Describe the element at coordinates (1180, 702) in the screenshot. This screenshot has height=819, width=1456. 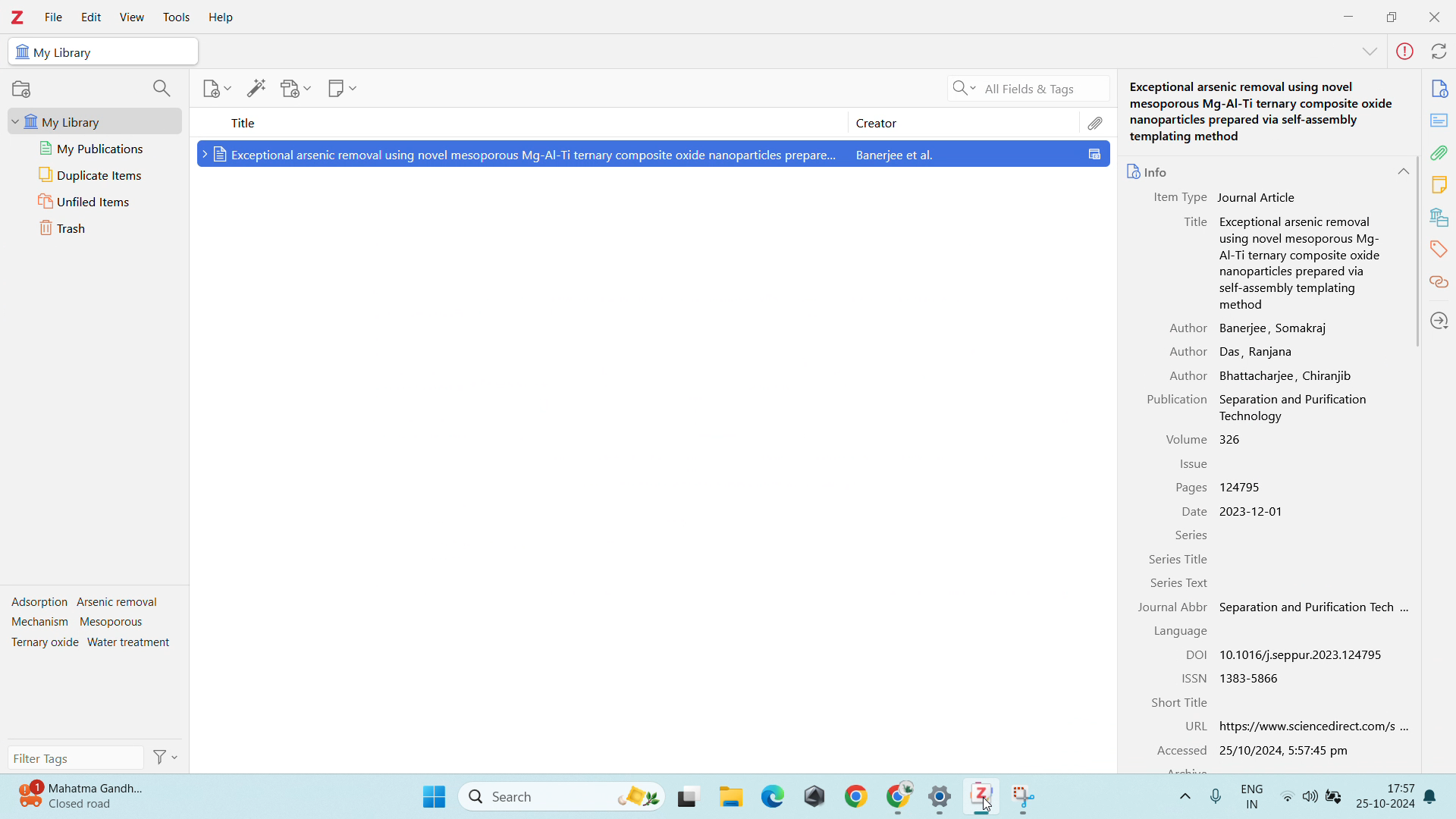
I see `Short Title` at that location.